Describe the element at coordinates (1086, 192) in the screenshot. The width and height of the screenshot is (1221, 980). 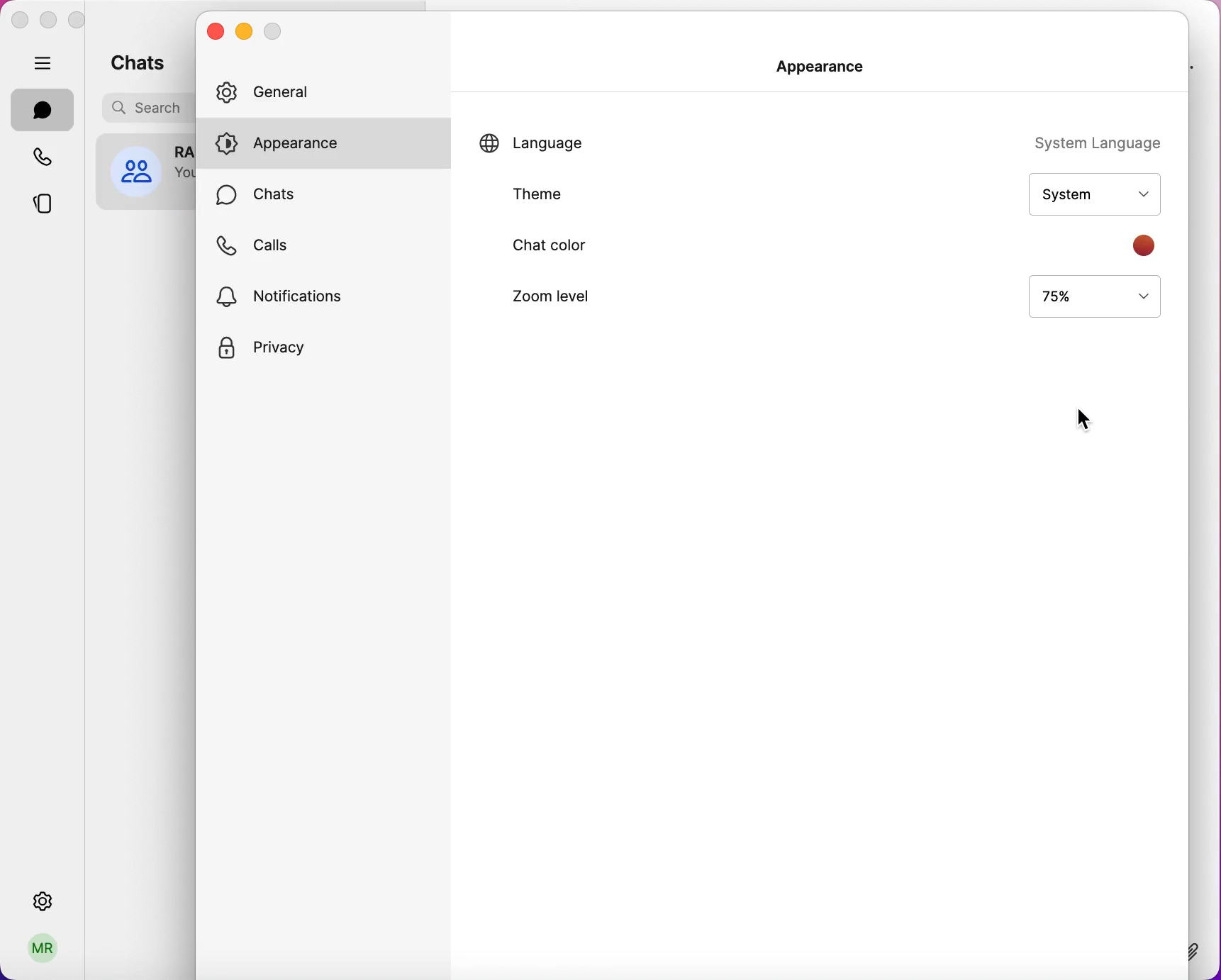
I see `system` at that location.